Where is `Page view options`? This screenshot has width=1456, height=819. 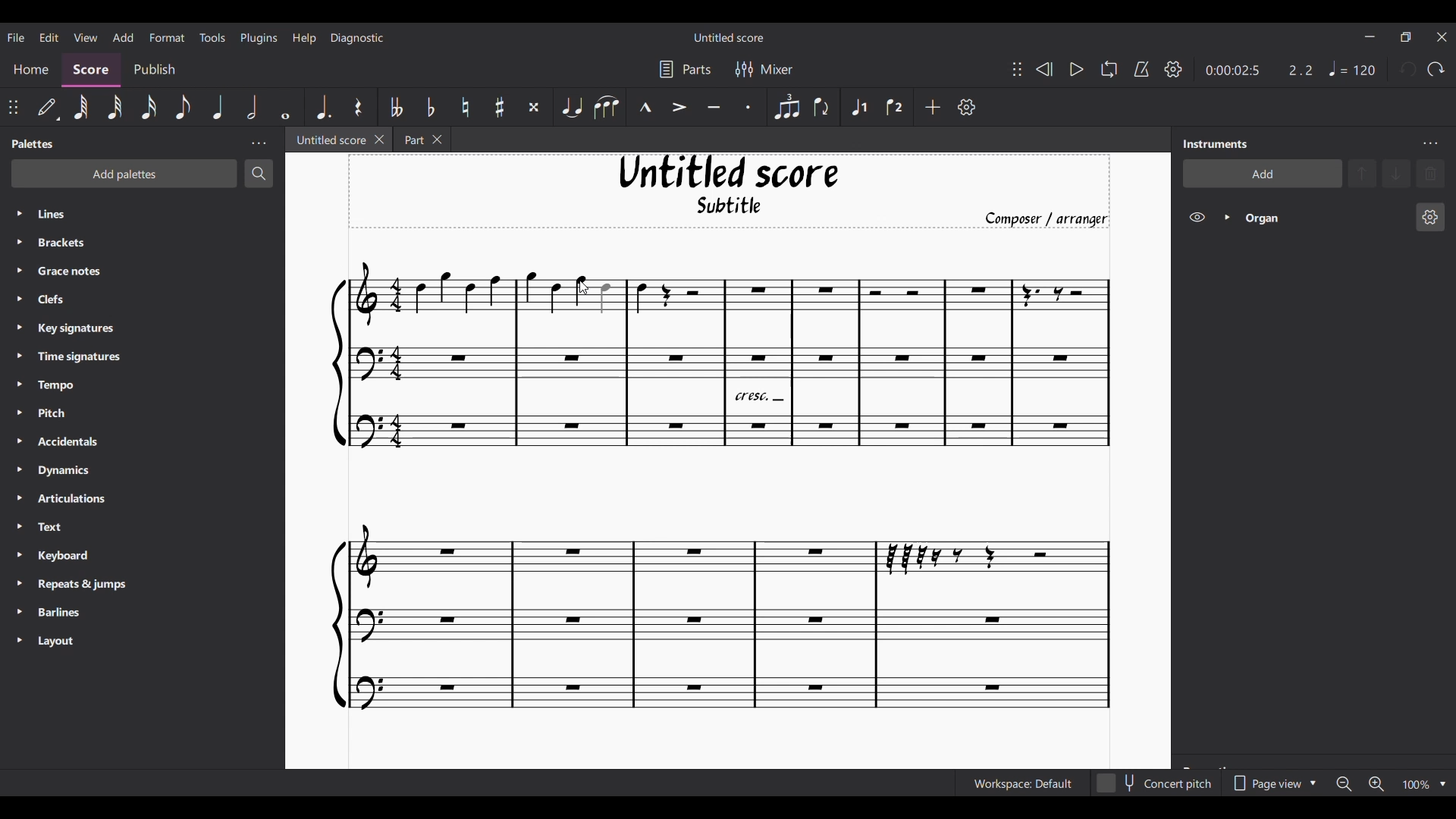
Page view options is located at coordinates (1272, 783).